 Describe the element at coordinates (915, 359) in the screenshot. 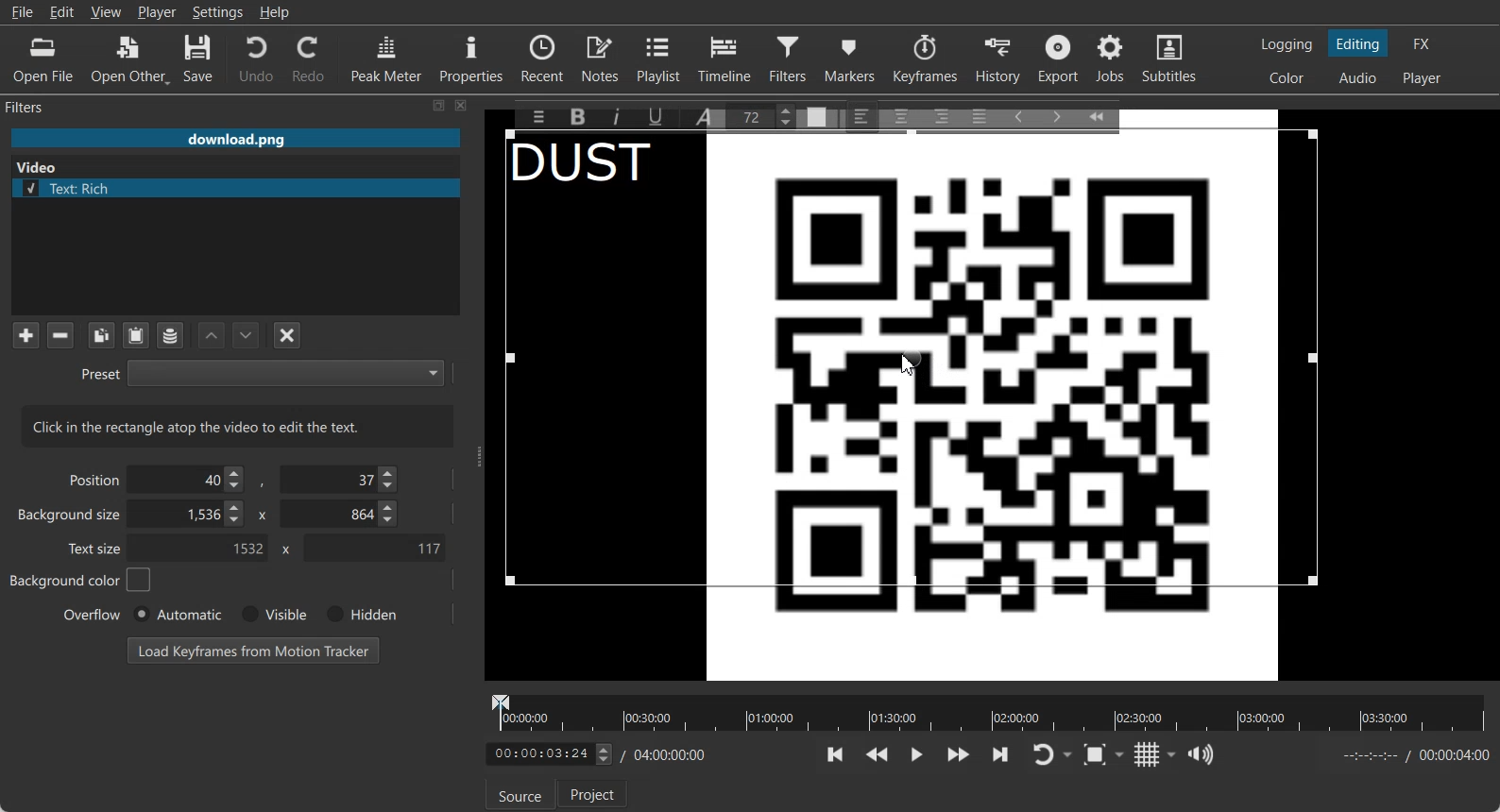

I see `Text Frame` at that location.